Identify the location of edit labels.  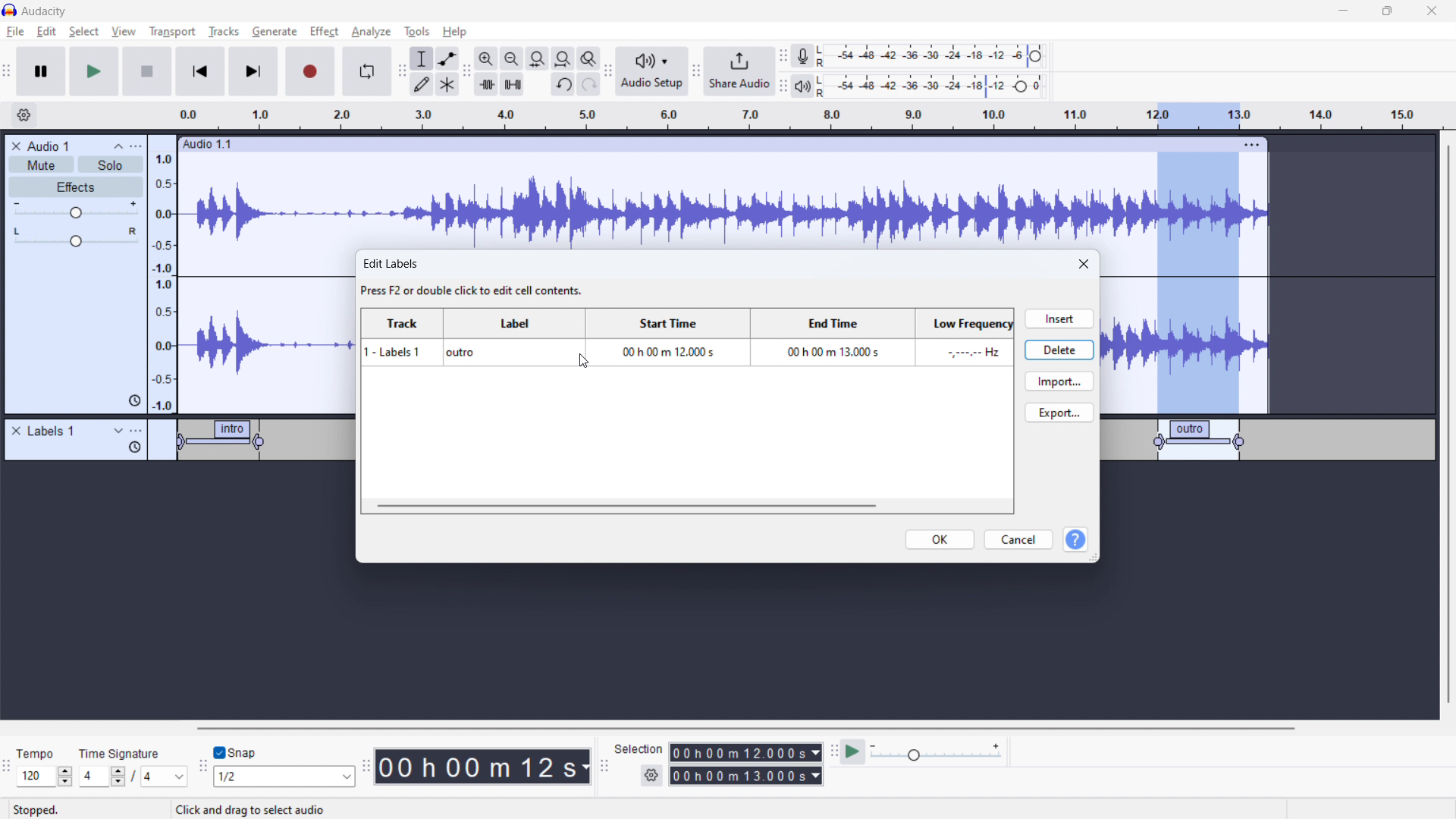
(475, 278).